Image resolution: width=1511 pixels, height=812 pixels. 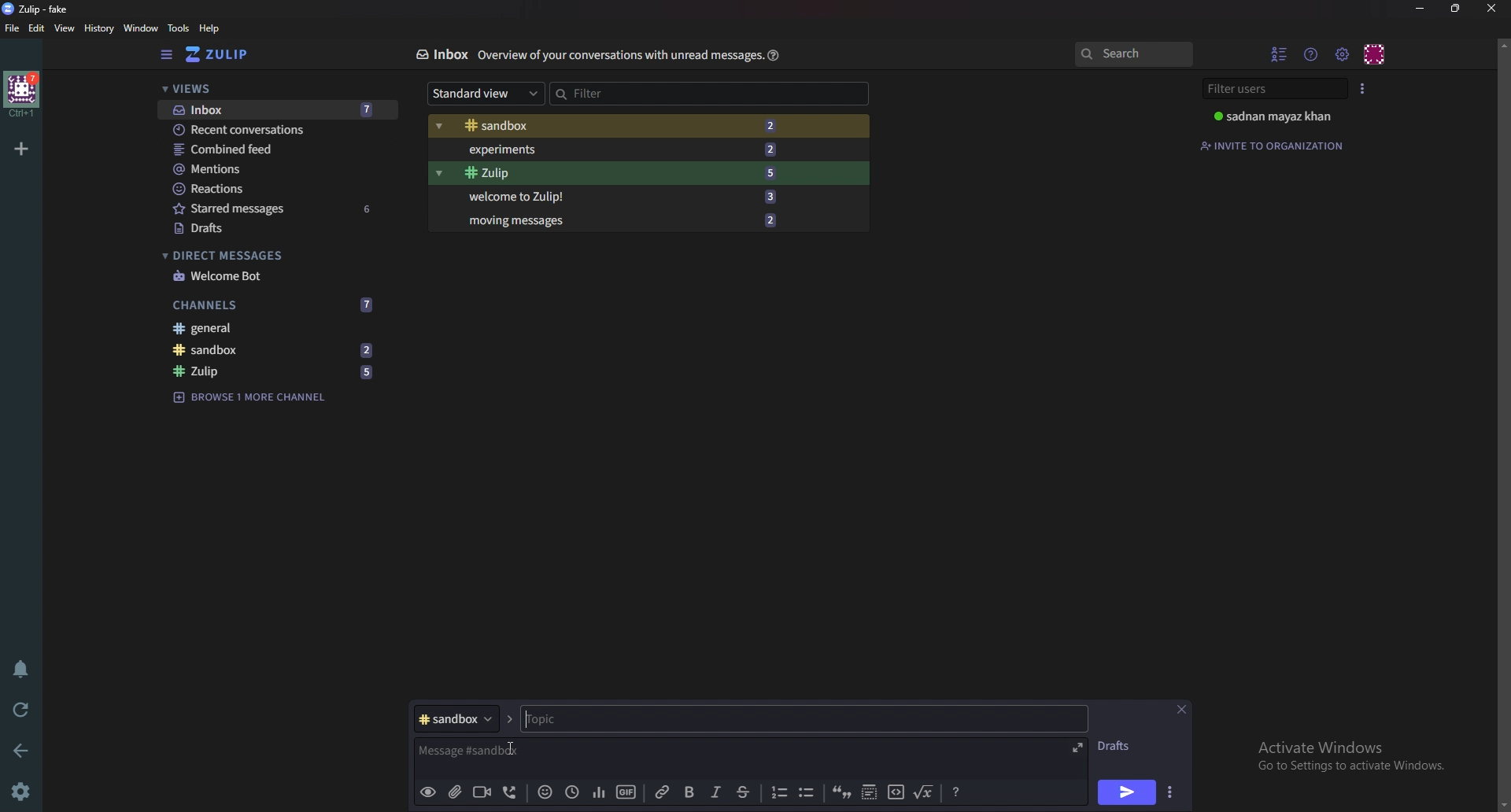 What do you see at coordinates (611, 751) in the screenshot?
I see `Compose message` at bounding box center [611, 751].